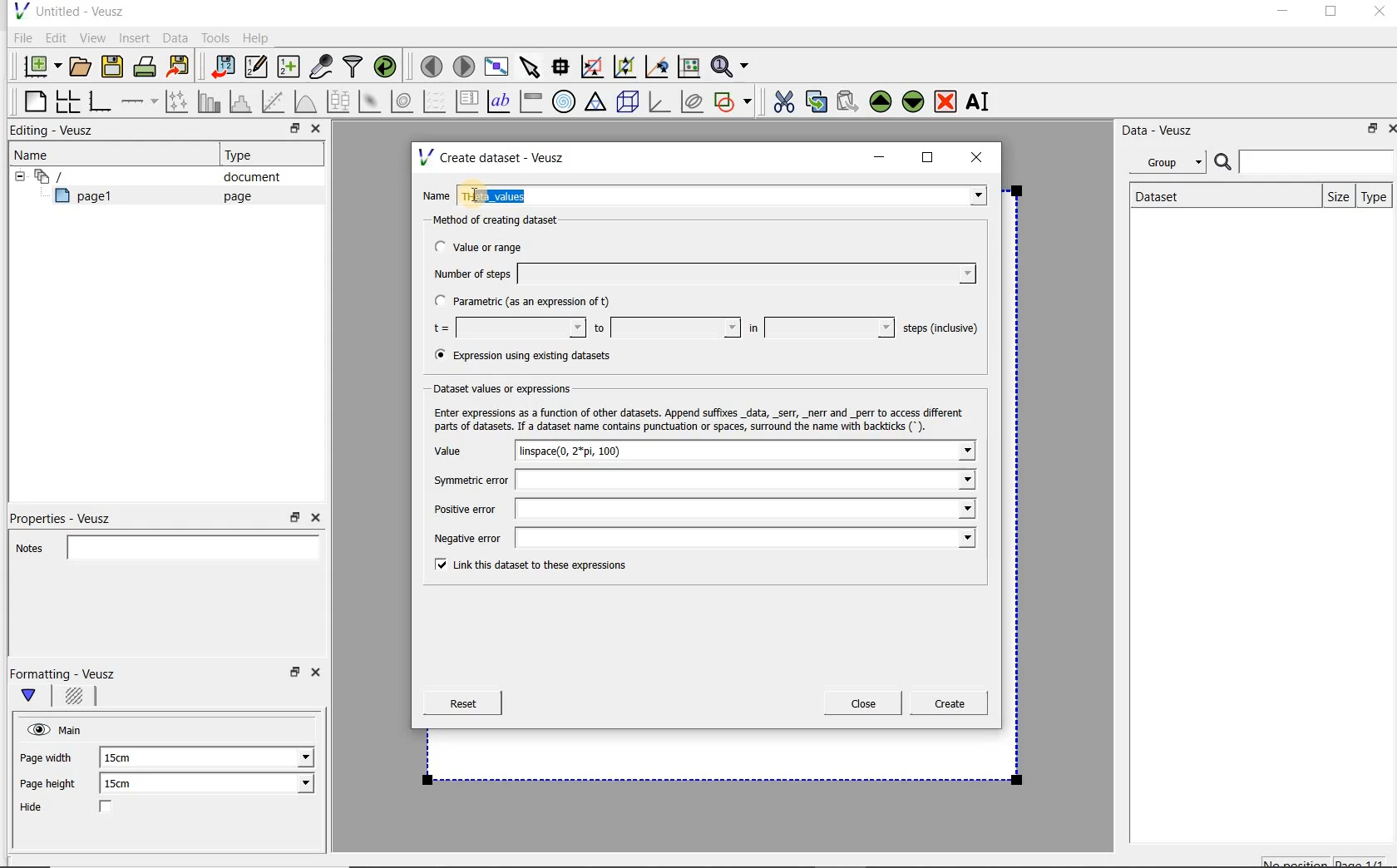 This screenshot has height=868, width=1397. I want to click on text label, so click(501, 101).